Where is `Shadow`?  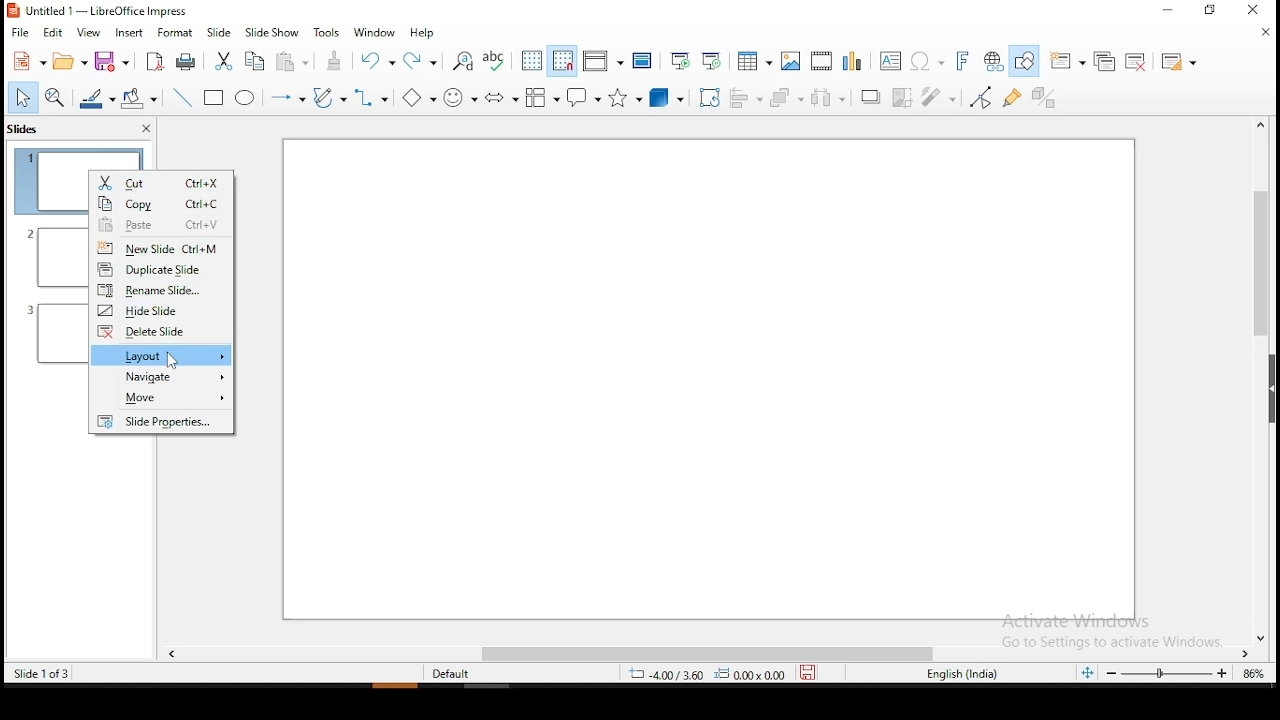
Shadow is located at coordinates (868, 98).